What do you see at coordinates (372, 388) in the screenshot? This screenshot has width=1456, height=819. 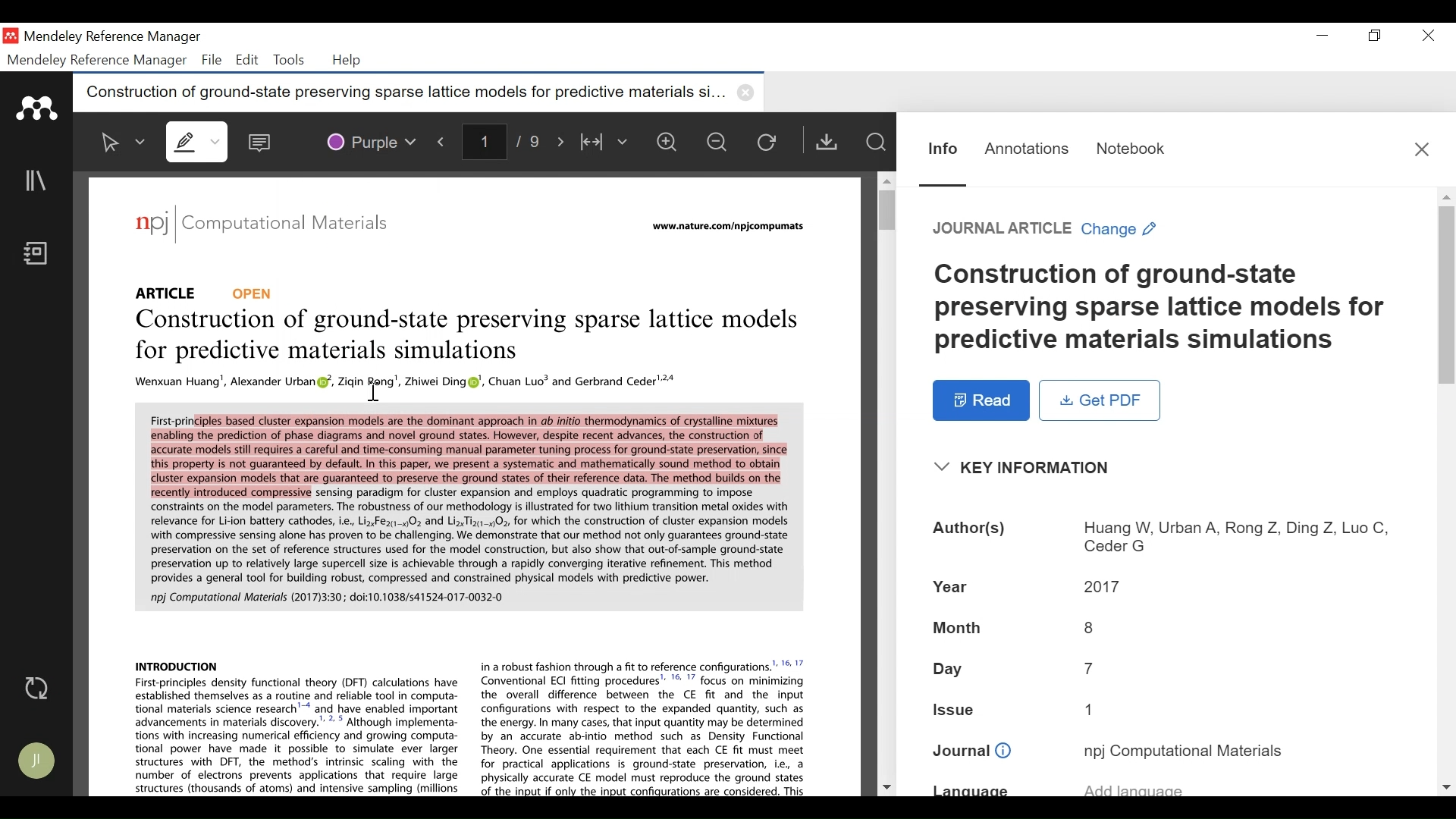 I see `Cursor` at bounding box center [372, 388].